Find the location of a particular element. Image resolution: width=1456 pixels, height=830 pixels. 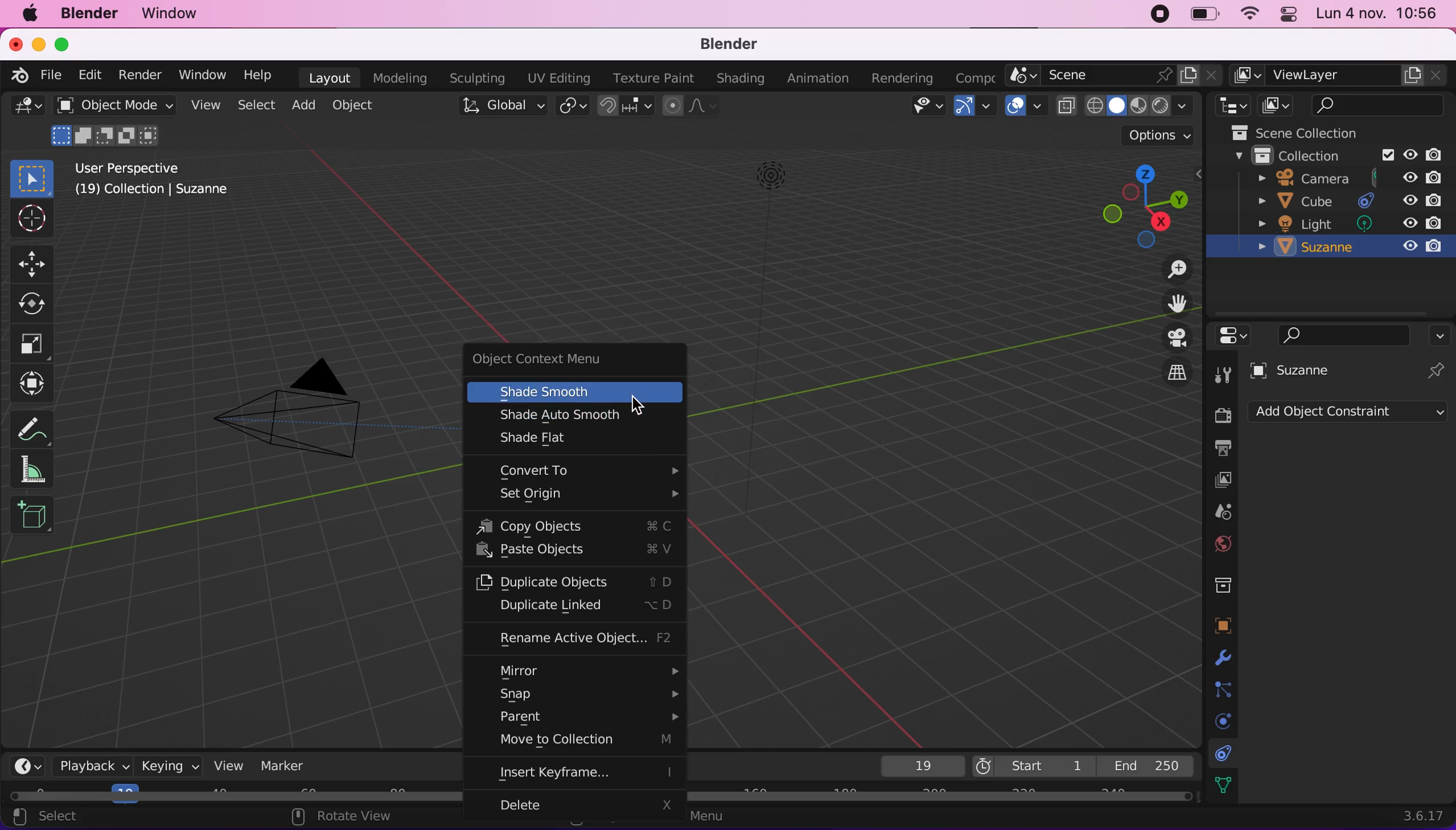

shade flat is located at coordinates (566, 440).